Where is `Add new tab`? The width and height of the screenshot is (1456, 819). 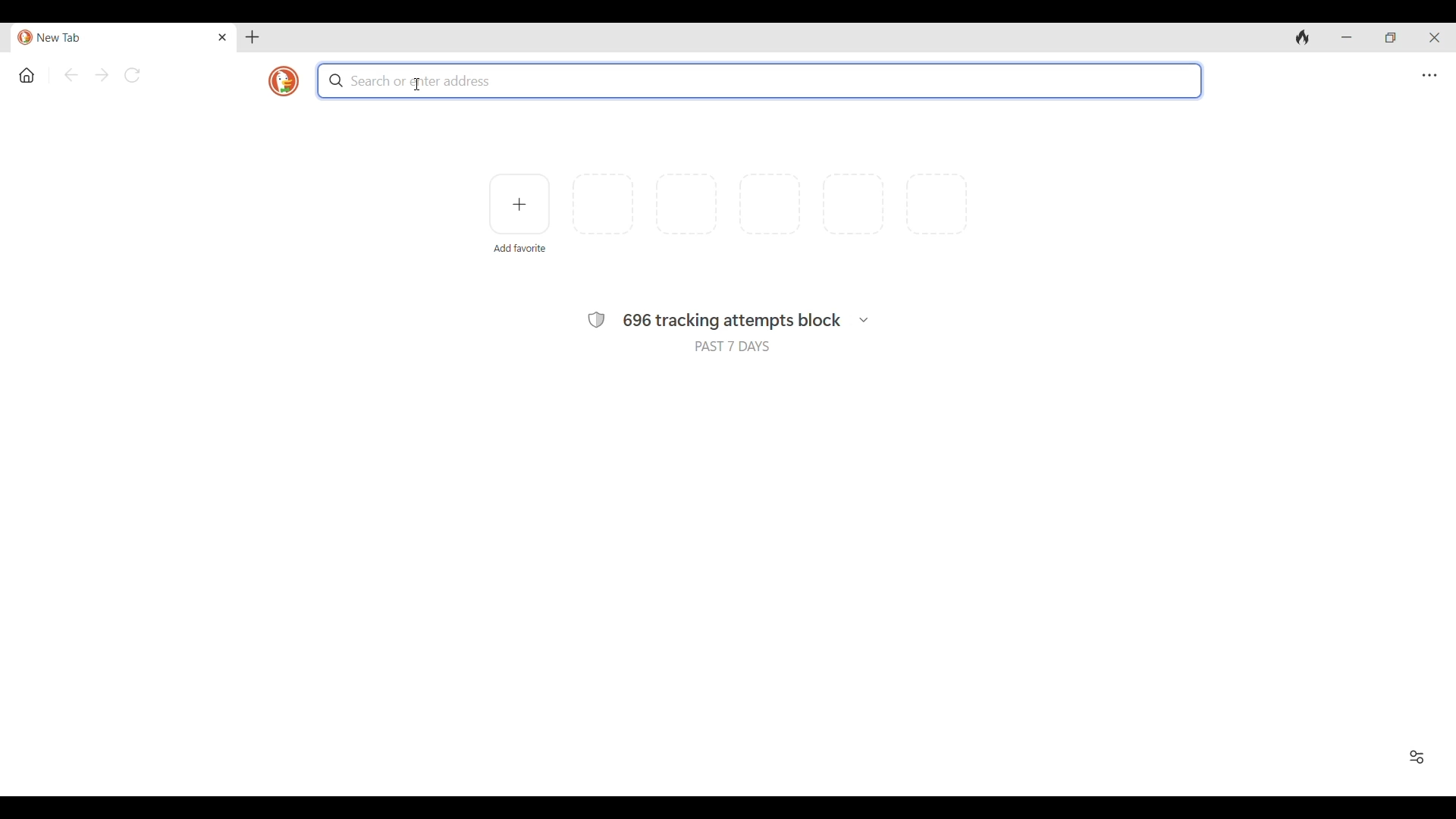 Add new tab is located at coordinates (253, 37).